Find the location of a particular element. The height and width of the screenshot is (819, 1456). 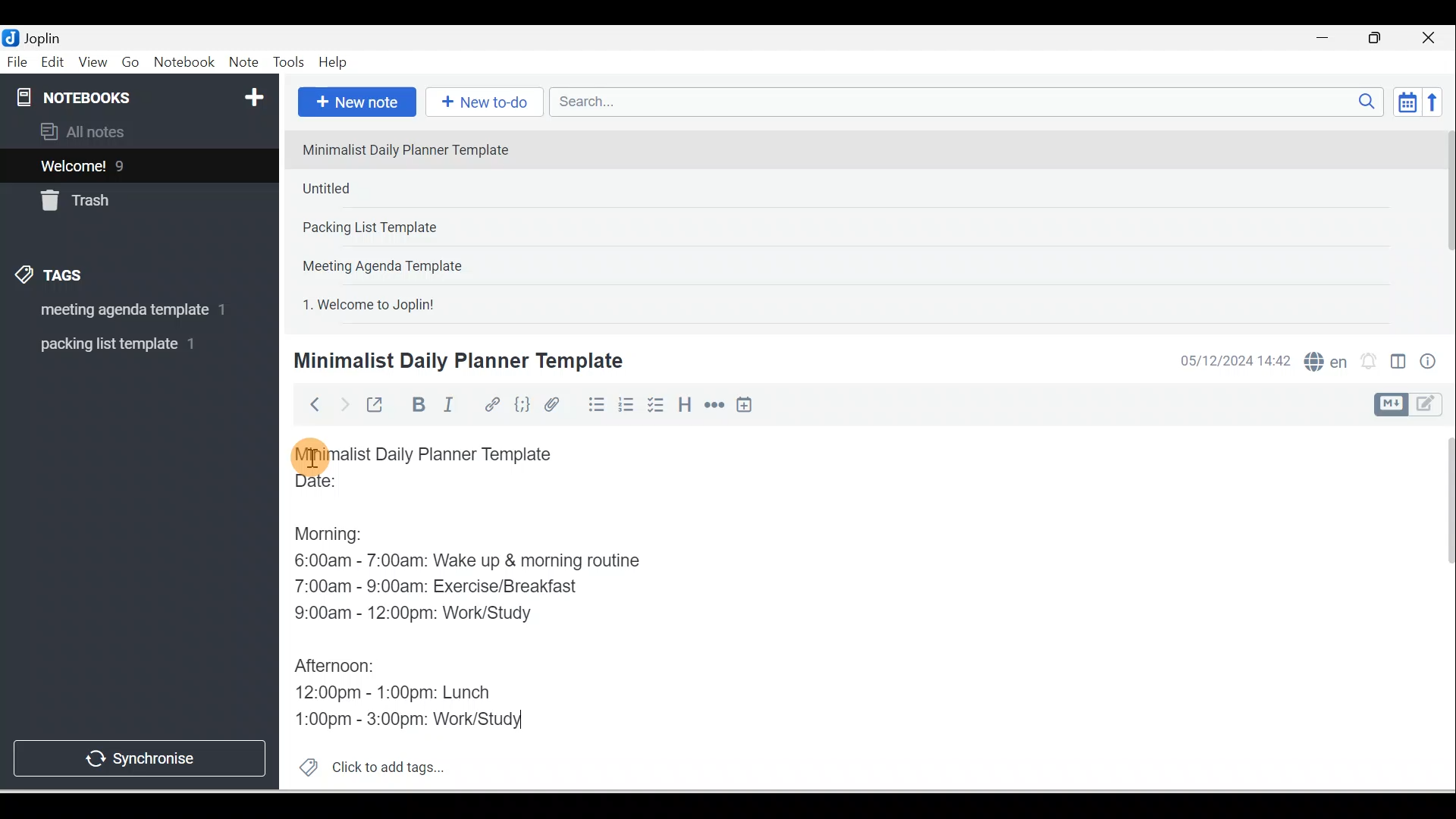

Hyperlink is located at coordinates (491, 406).